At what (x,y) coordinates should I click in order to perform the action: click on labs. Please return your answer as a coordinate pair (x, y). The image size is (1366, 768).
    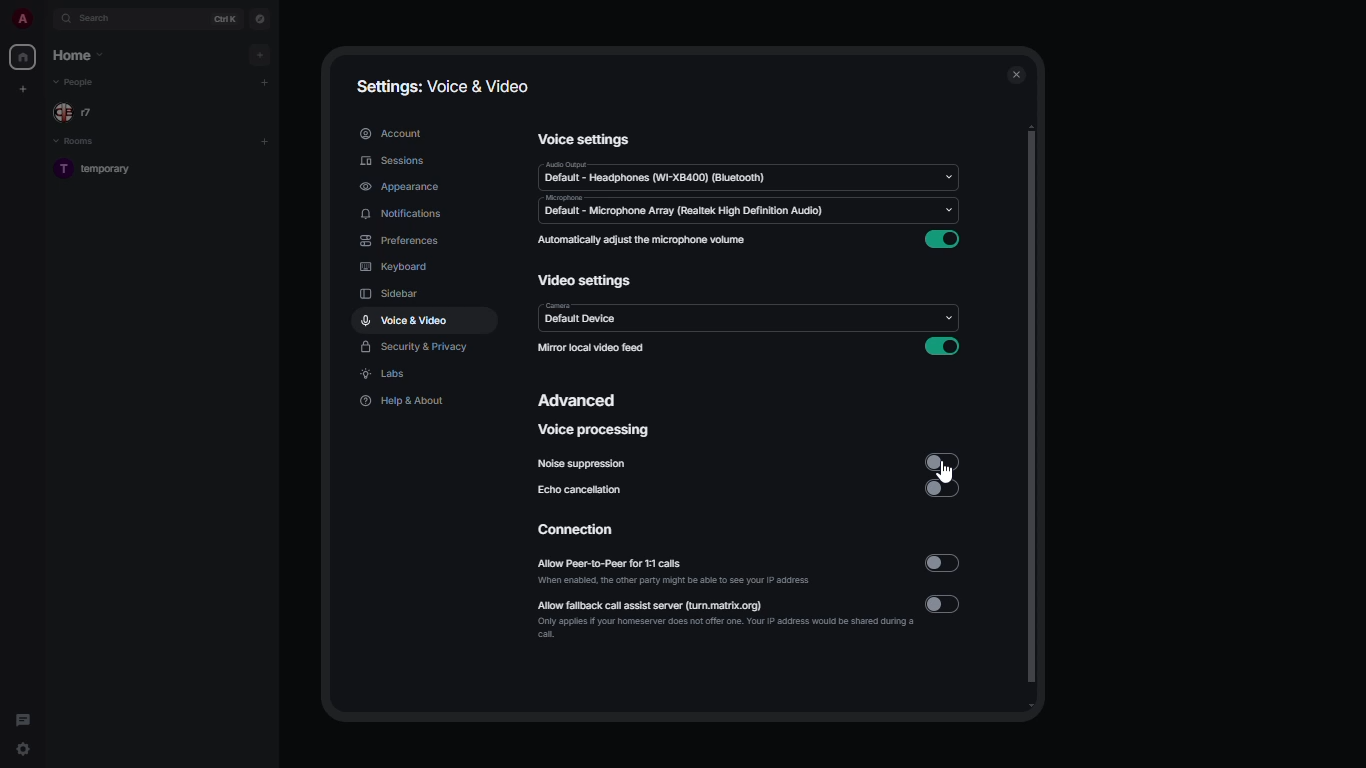
    Looking at the image, I should click on (390, 376).